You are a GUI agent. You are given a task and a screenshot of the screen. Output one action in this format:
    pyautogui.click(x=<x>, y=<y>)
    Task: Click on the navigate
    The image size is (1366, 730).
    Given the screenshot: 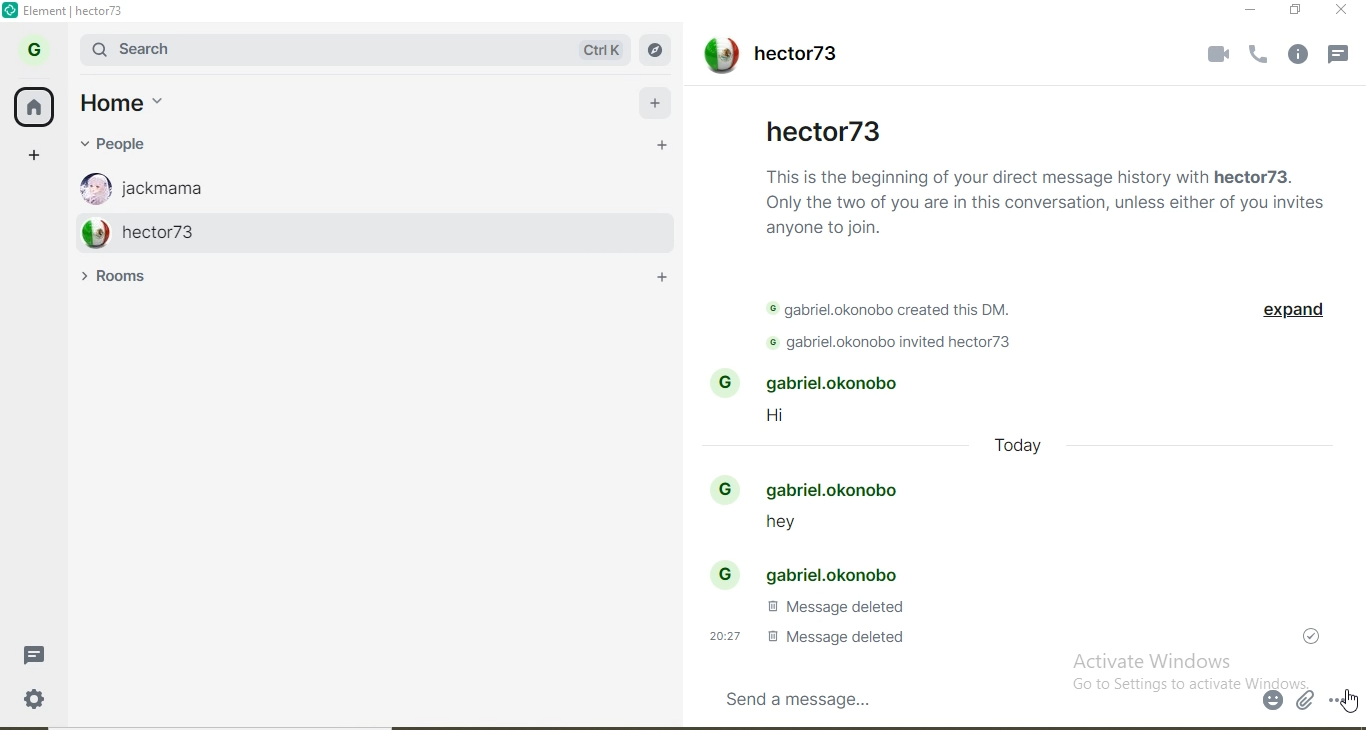 What is the action you would take?
    pyautogui.click(x=660, y=51)
    